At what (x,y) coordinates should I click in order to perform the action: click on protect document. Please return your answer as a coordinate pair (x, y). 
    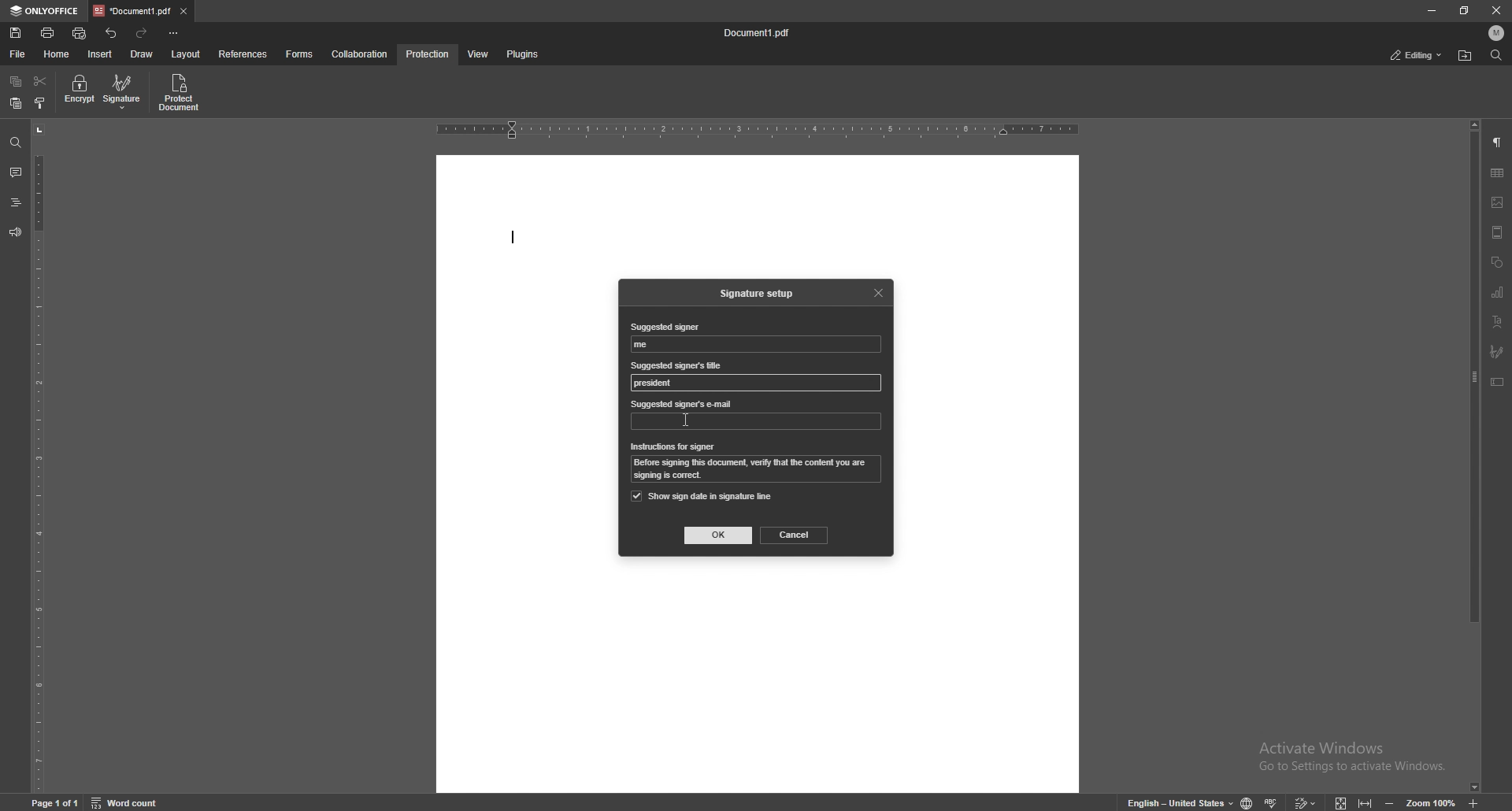
    Looking at the image, I should click on (181, 92).